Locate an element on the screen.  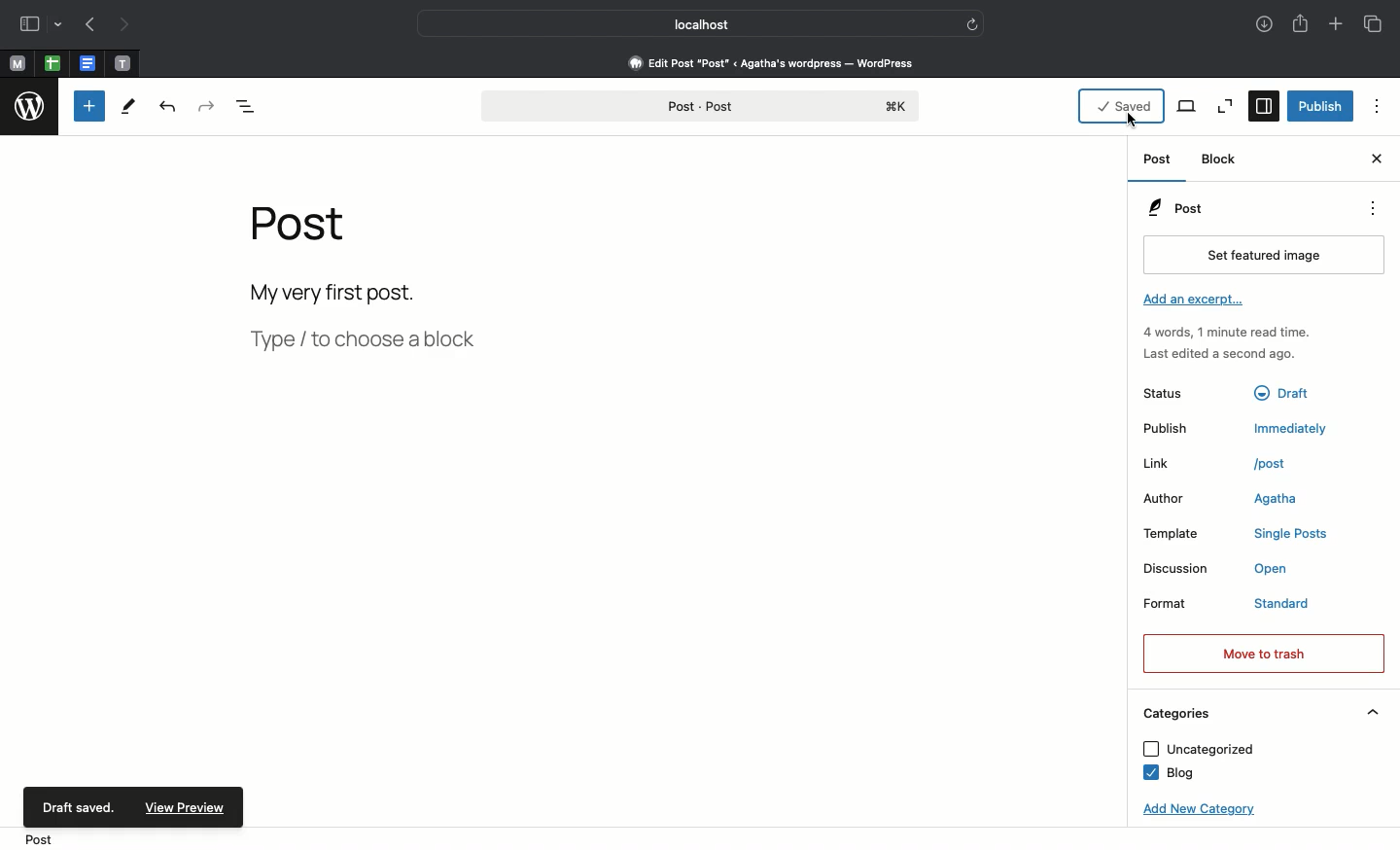
Template is located at coordinates (1182, 534).